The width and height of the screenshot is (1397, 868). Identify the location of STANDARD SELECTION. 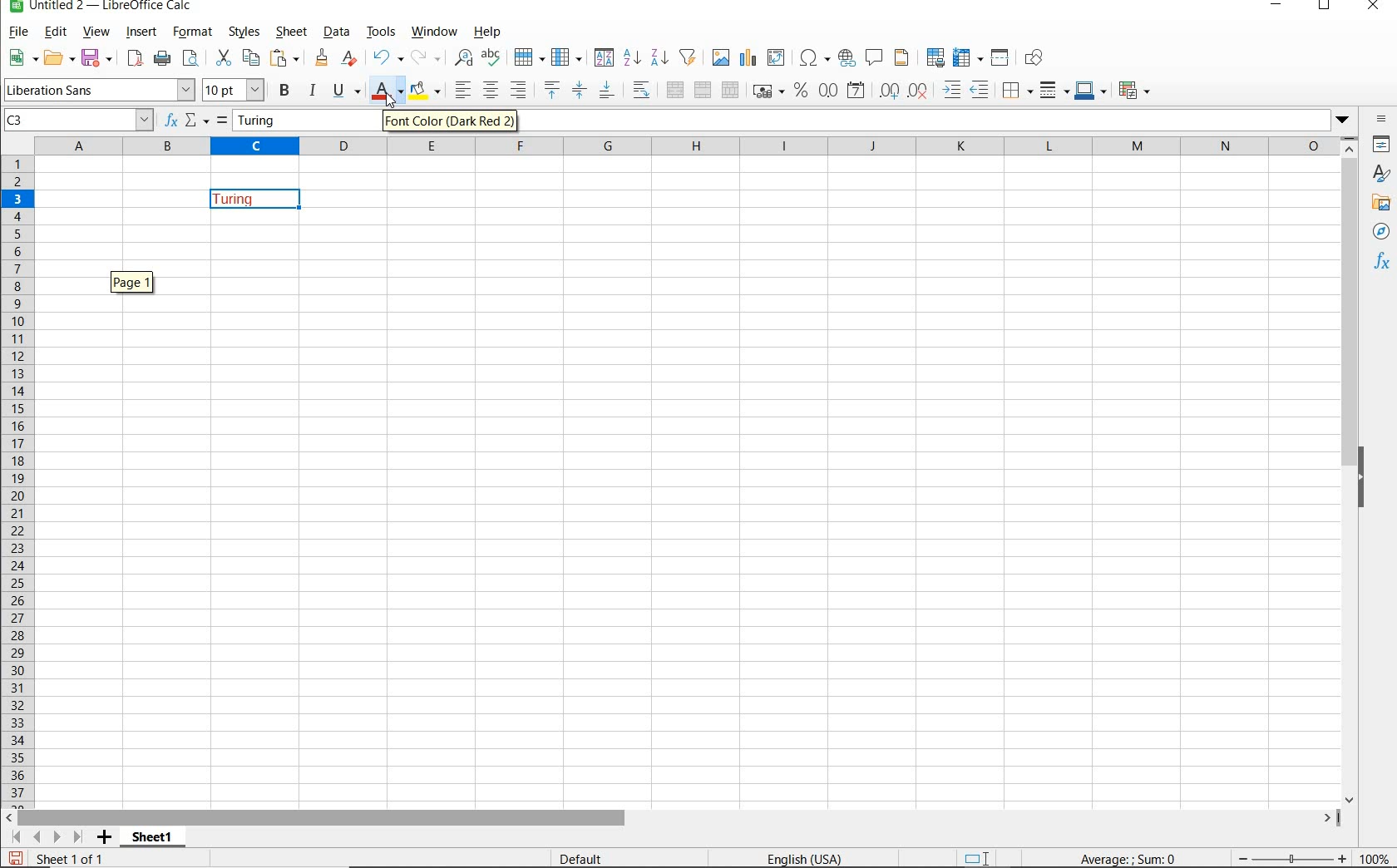
(980, 857).